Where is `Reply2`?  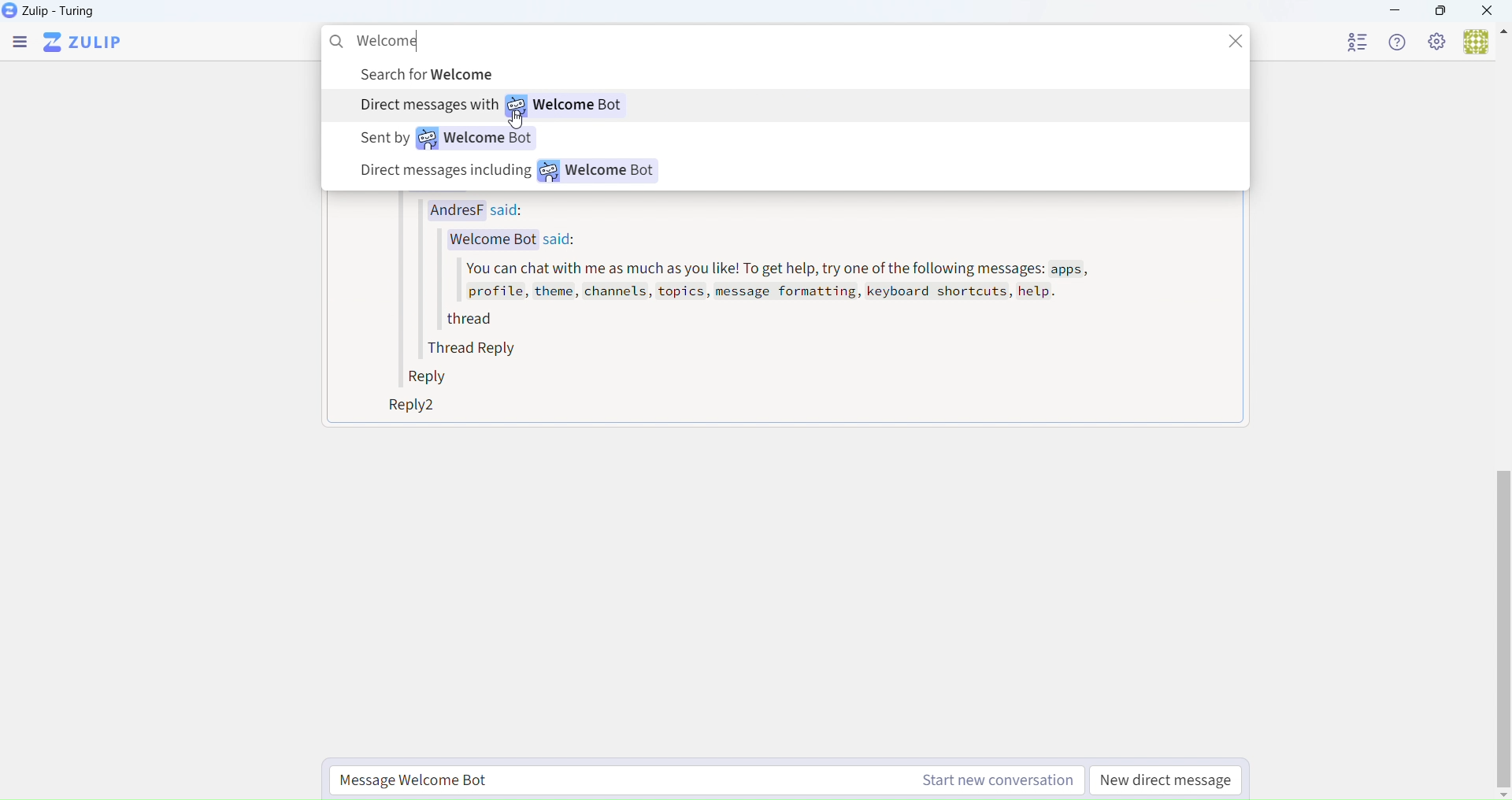
Reply2 is located at coordinates (406, 408).